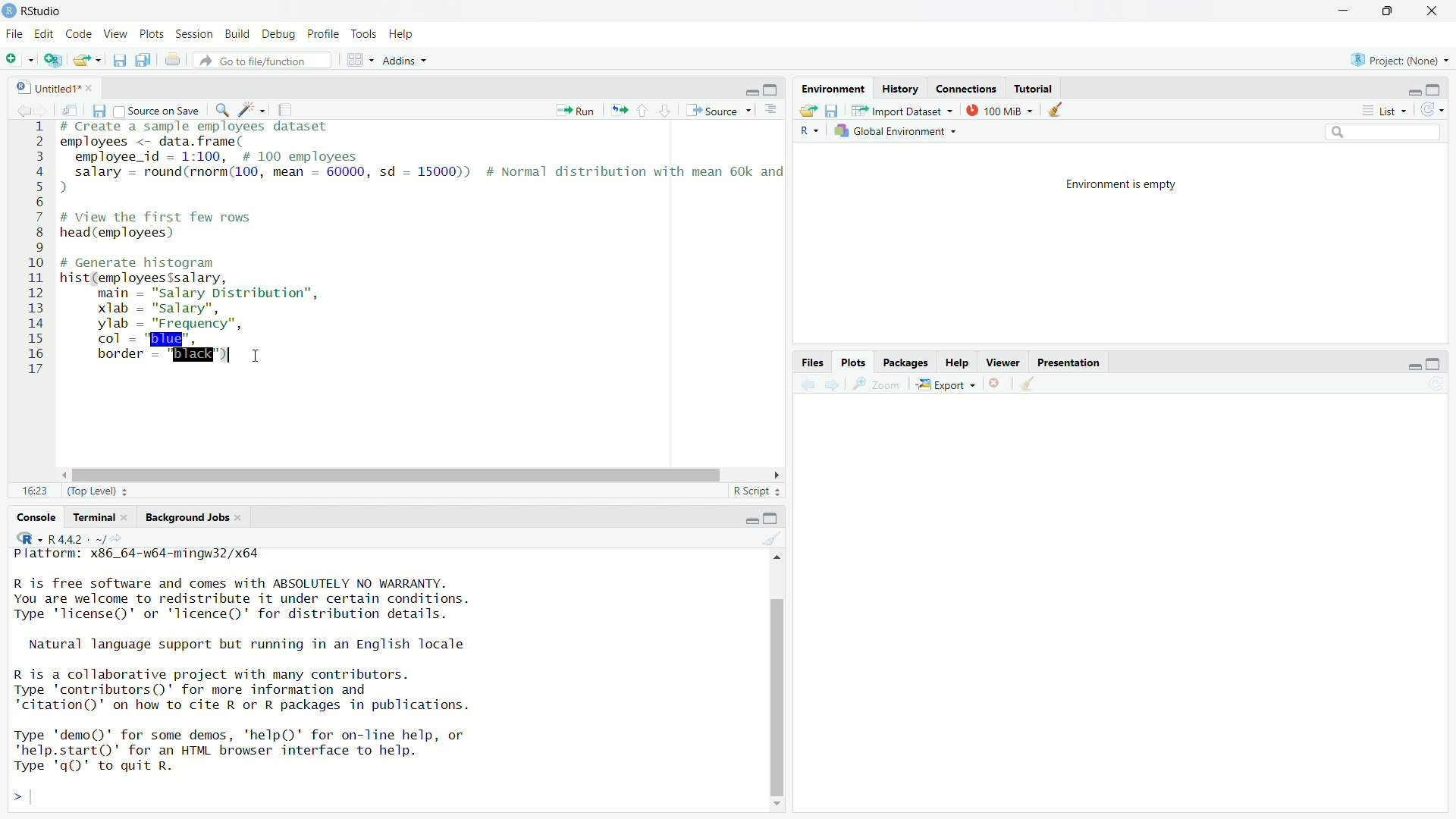  I want to click on Untitled1*, so click(49, 88).